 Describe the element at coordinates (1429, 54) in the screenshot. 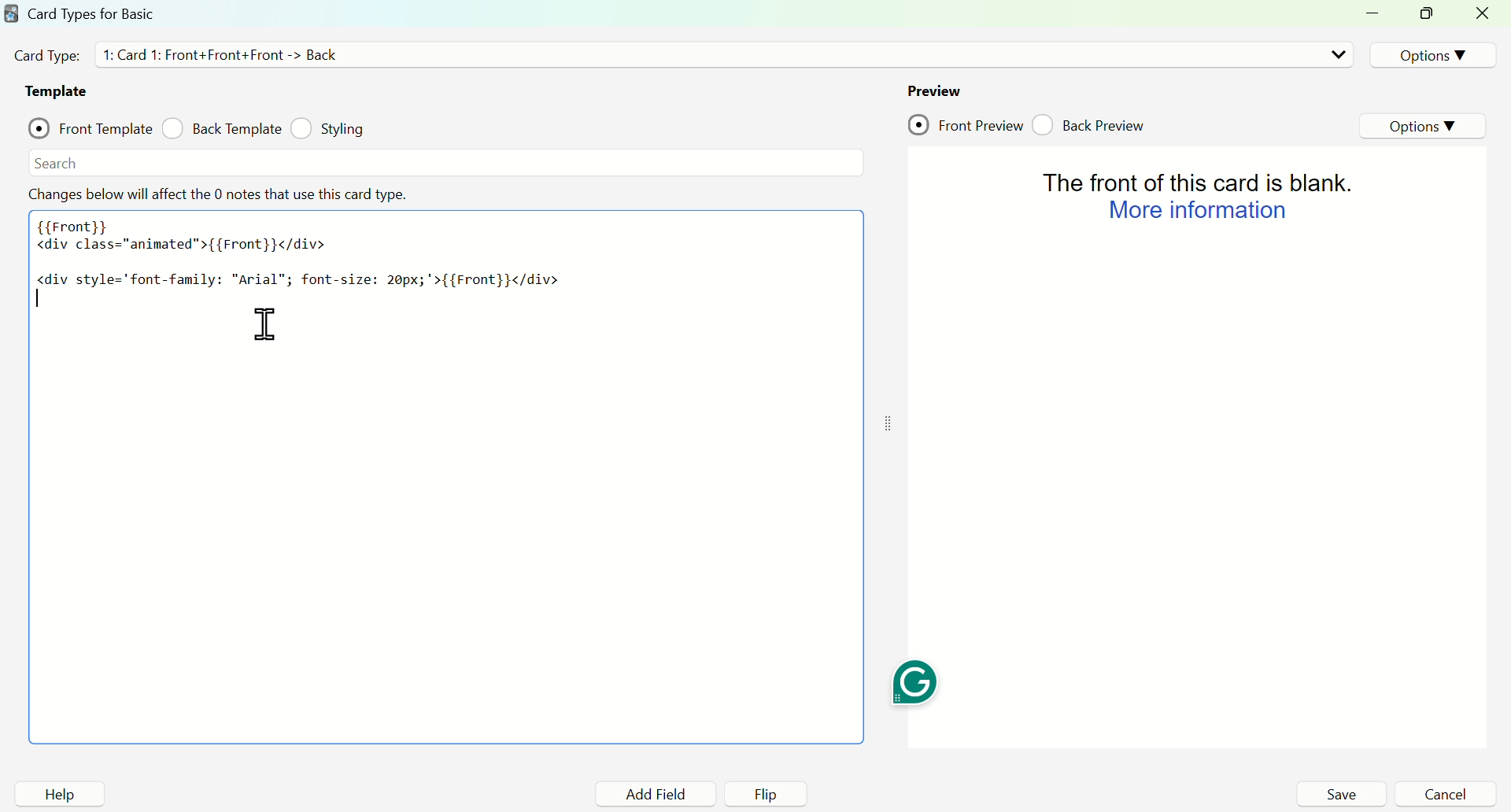

I see `Options` at that location.